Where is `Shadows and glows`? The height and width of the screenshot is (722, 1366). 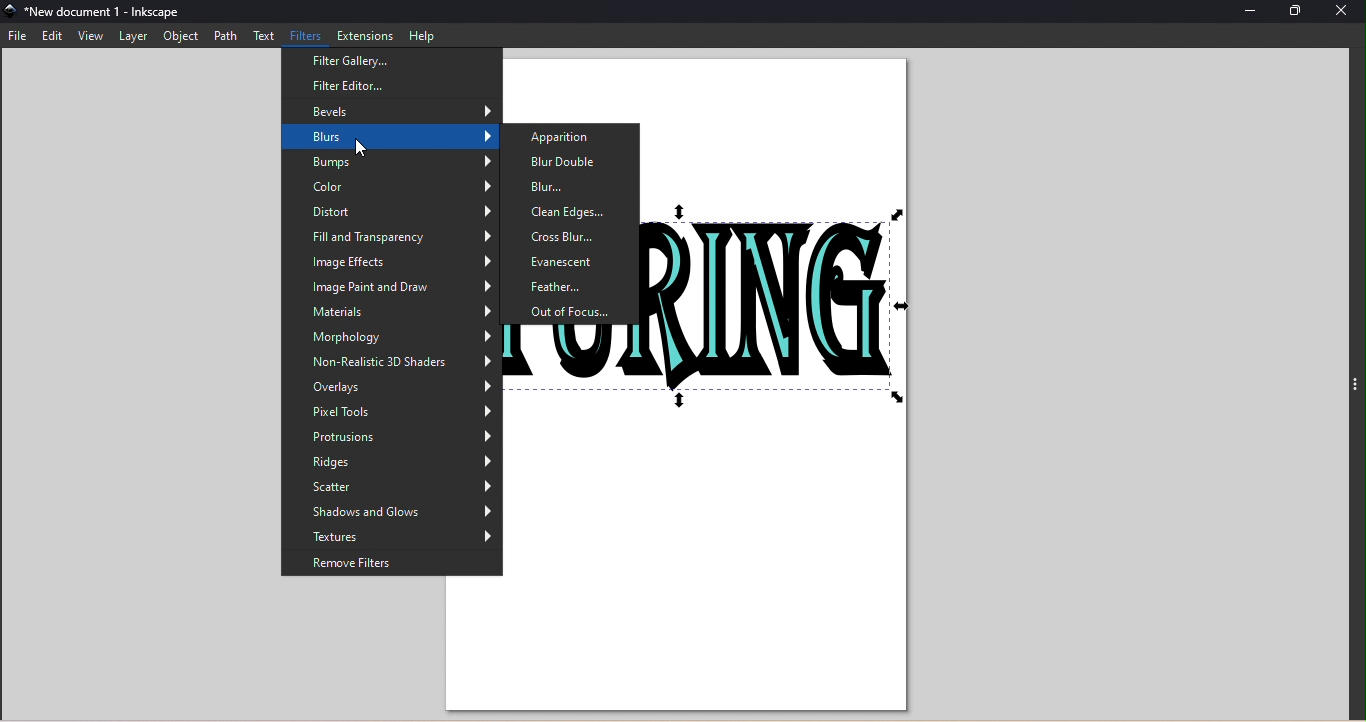
Shadows and glows is located at coordinates (391, 513).